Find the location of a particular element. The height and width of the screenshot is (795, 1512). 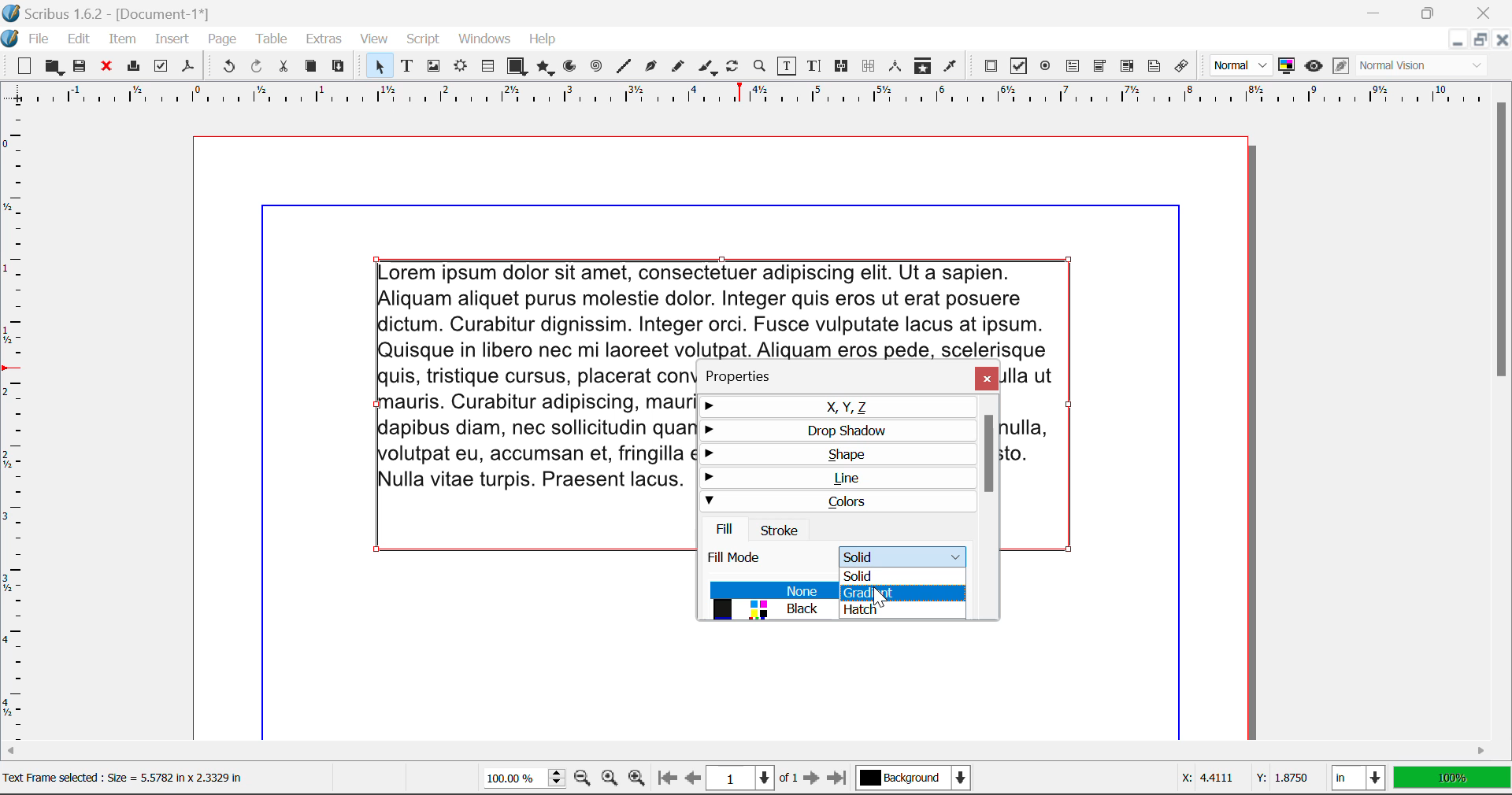

Tables is located at coordinates (487, 68).